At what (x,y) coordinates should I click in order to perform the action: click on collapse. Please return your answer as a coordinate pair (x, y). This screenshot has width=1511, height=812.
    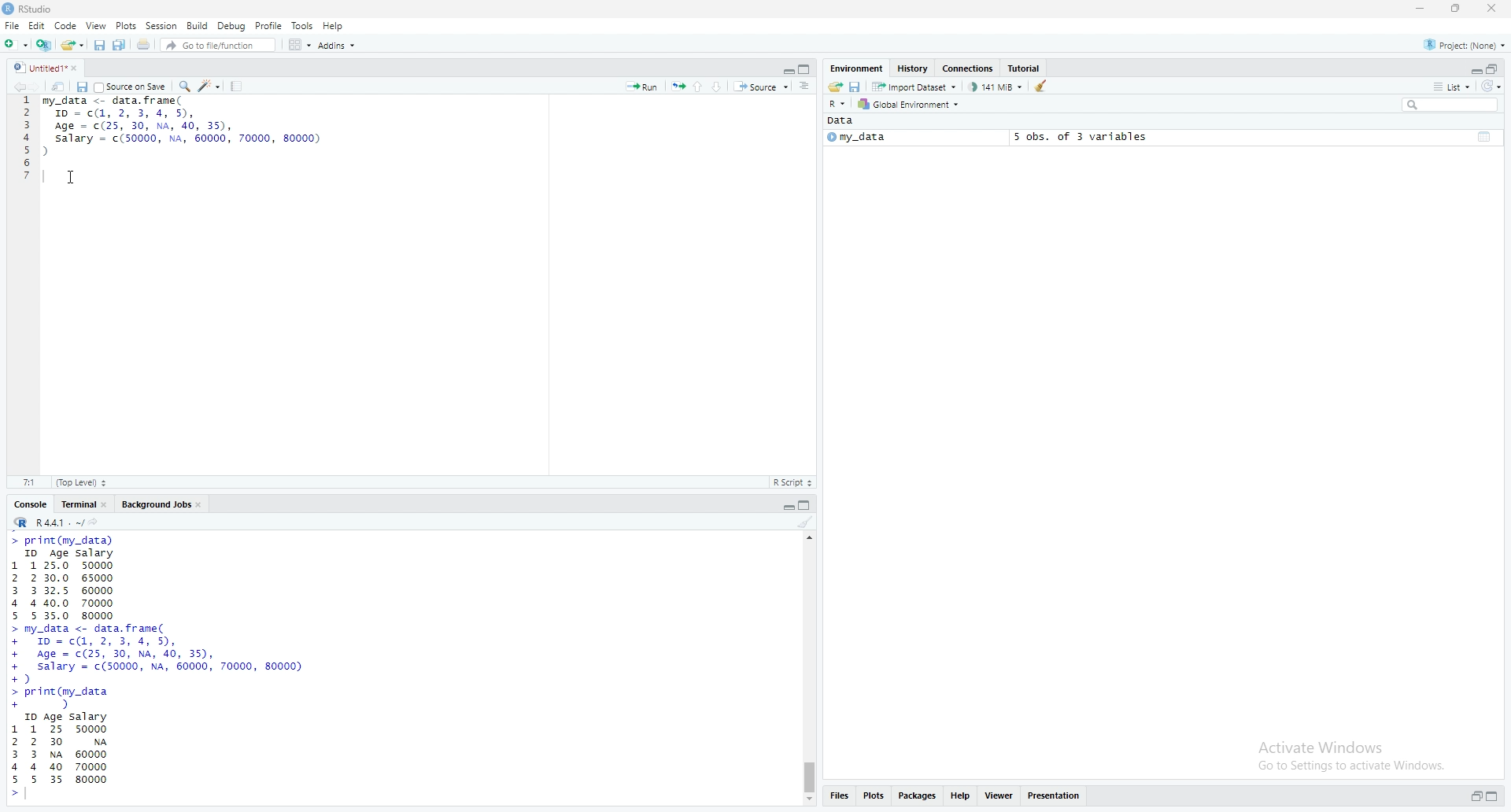
    Looking at the image, I should click on (1485, 135).